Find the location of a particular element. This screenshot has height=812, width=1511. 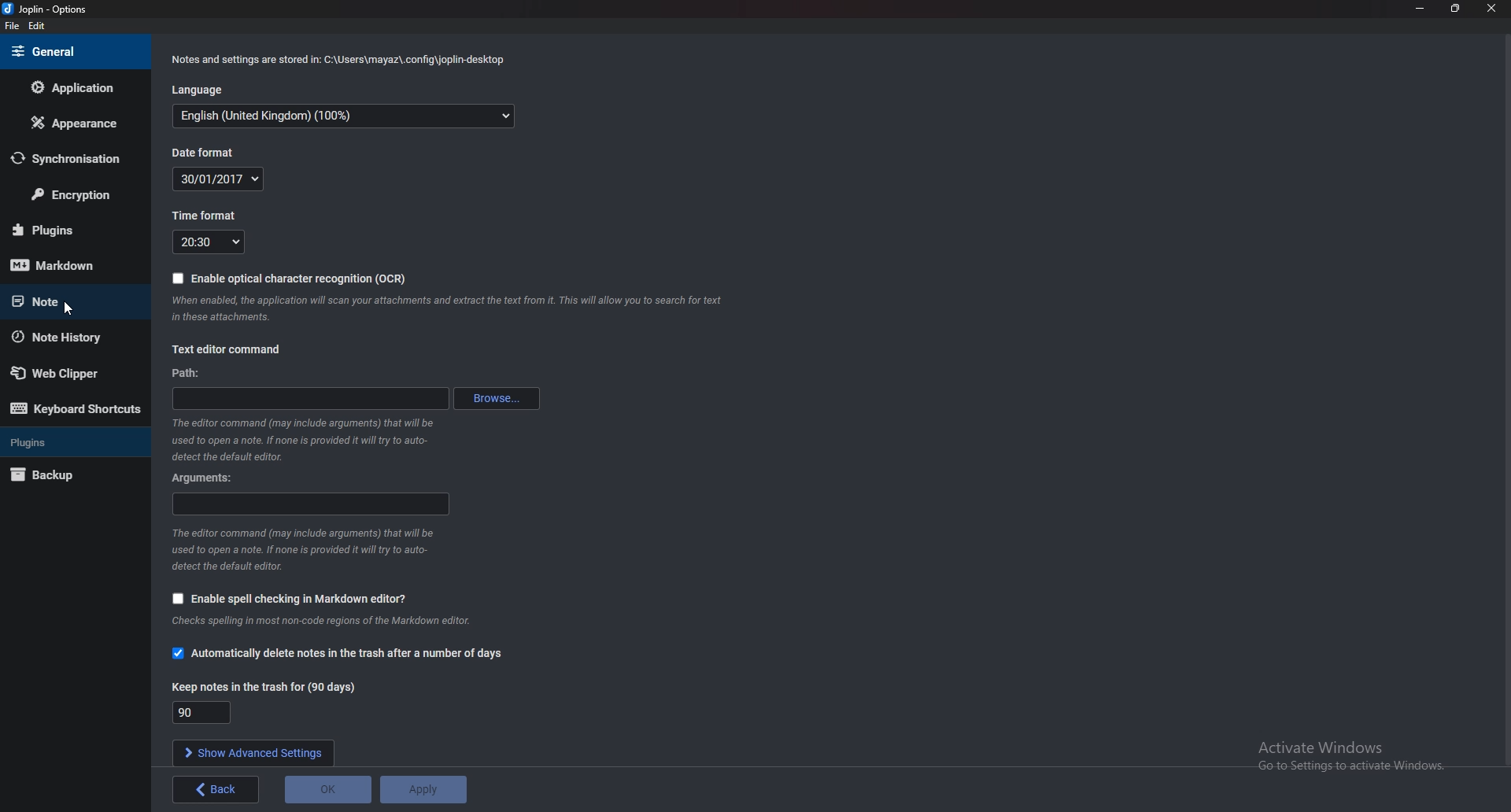

cursor is located at coordinates (69, 308).